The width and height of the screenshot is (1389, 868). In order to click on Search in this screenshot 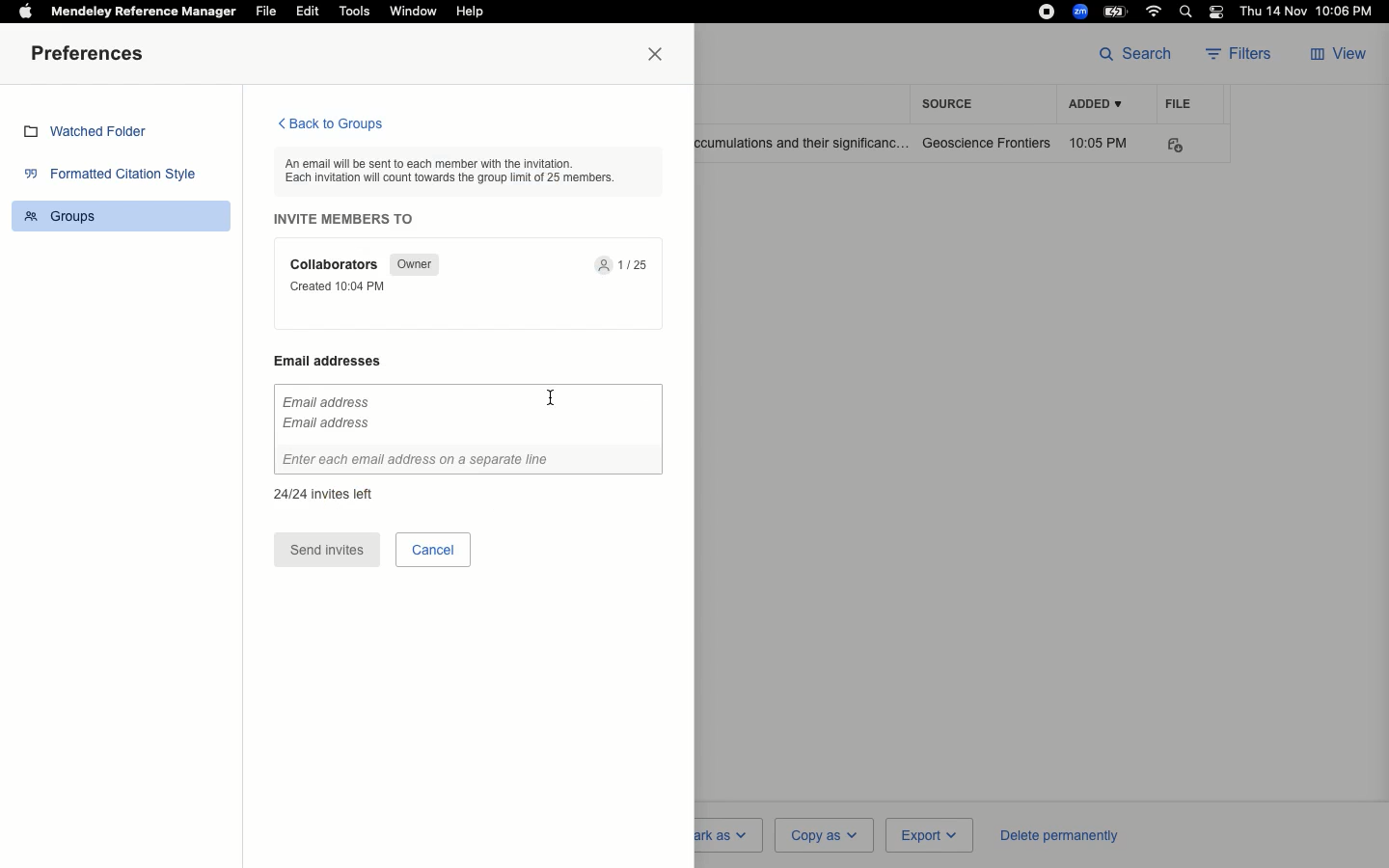, I will do `click(1135, 52)`.